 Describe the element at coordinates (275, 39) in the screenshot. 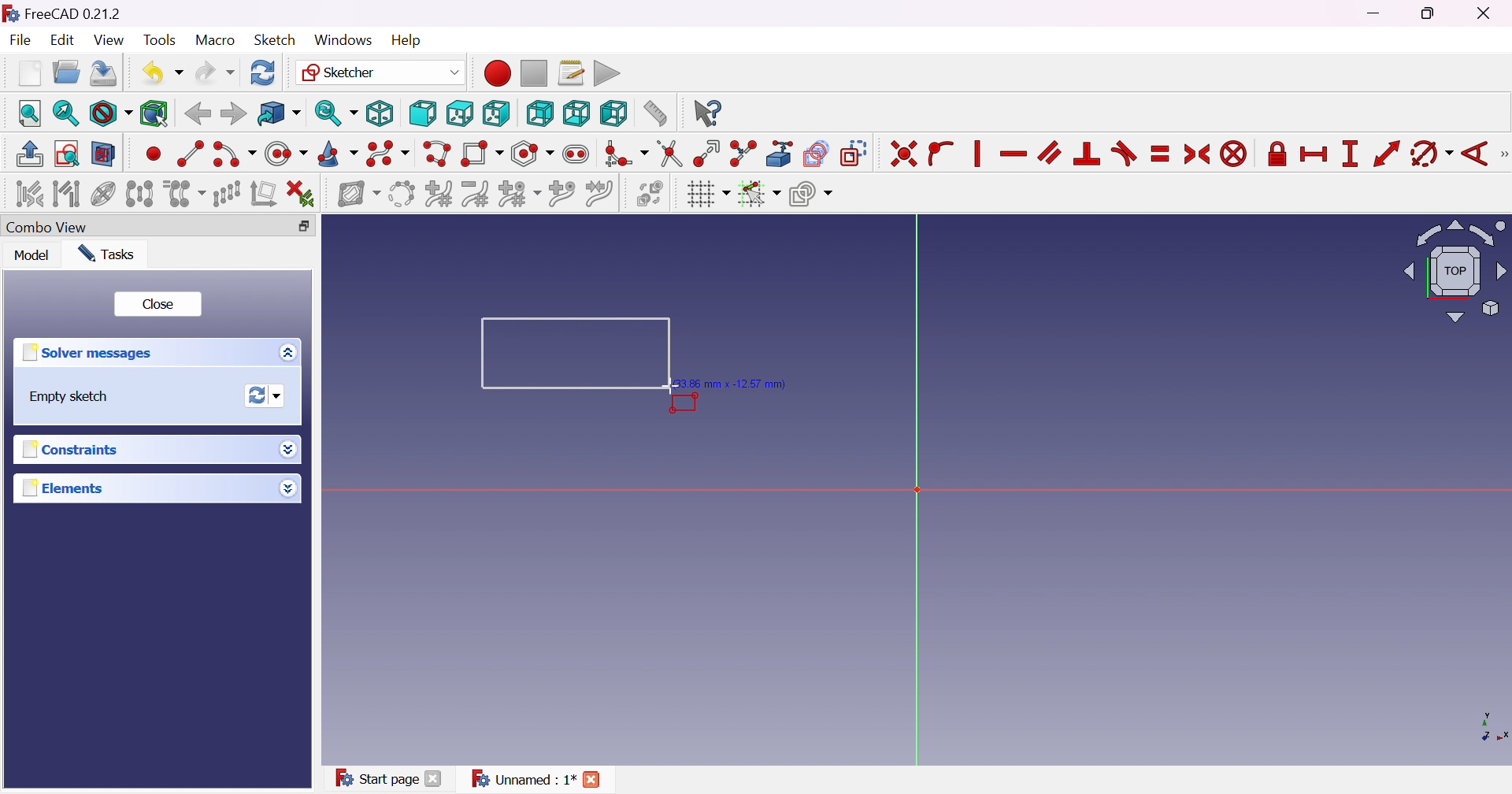

I see `Sketch` at that location.